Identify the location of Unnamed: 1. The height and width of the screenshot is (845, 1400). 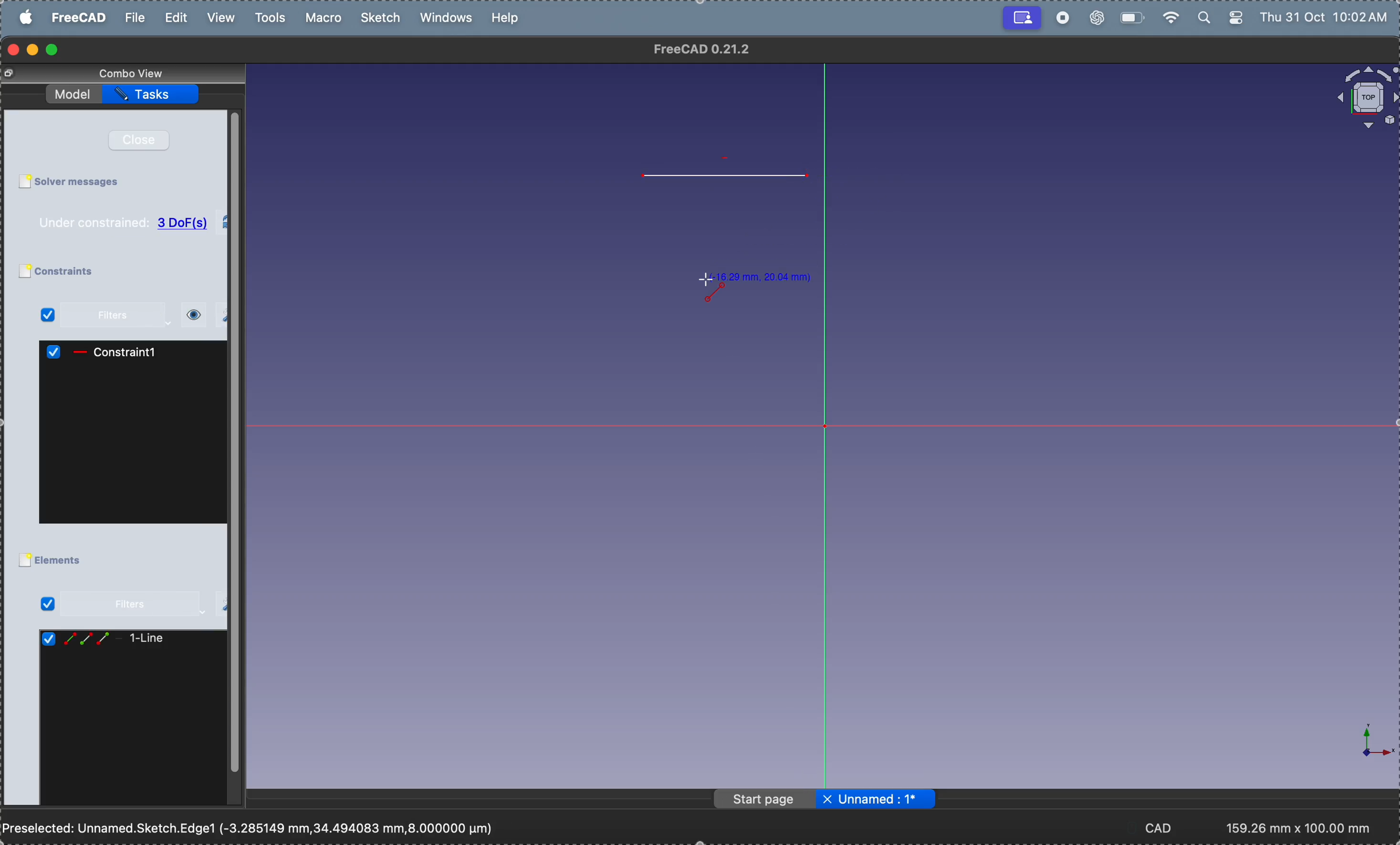
(887, 799).